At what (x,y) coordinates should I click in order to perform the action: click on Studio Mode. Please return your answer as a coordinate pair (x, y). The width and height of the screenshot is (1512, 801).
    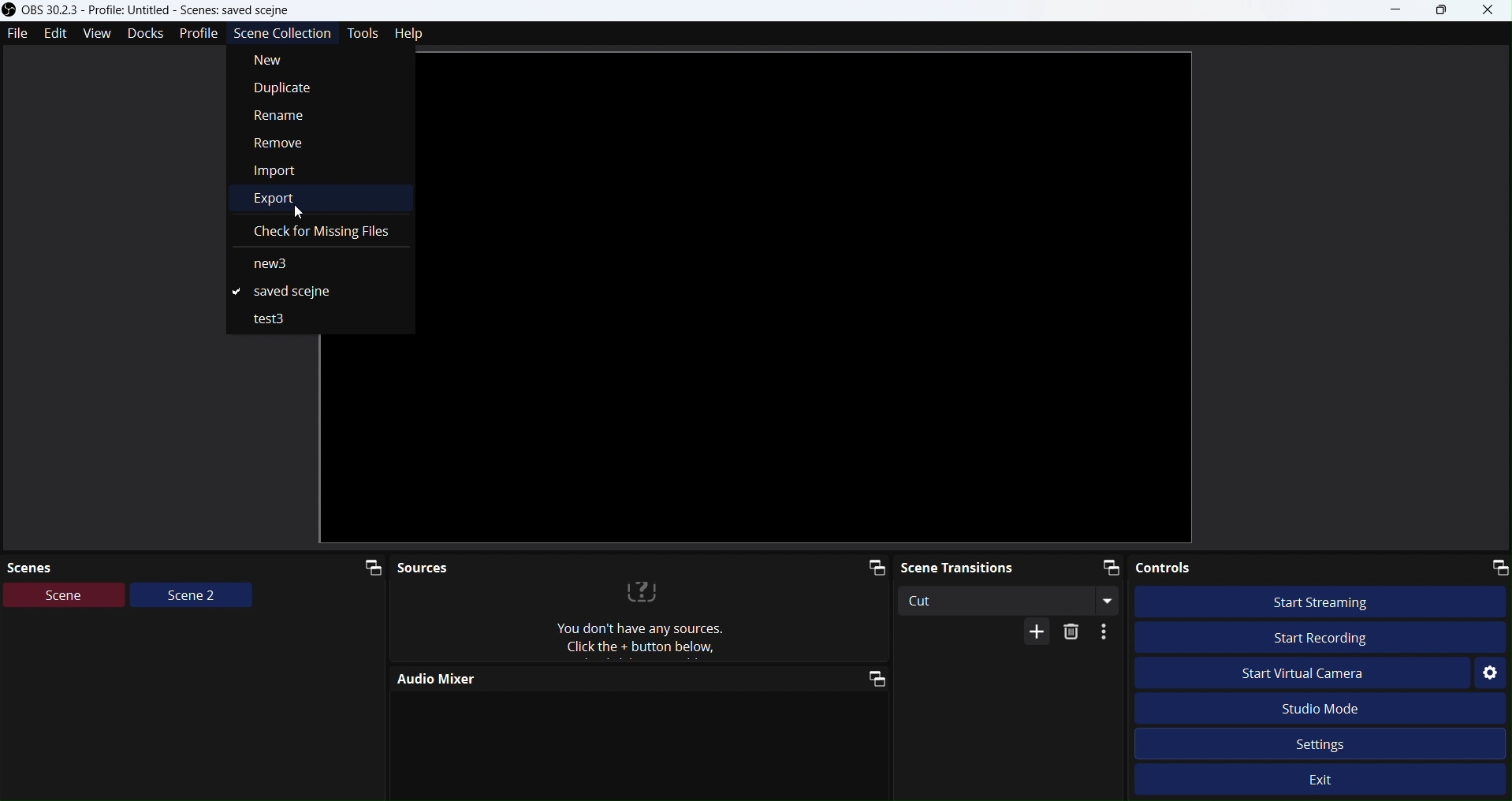
    Looking at the image, I should click on (1323, 710).